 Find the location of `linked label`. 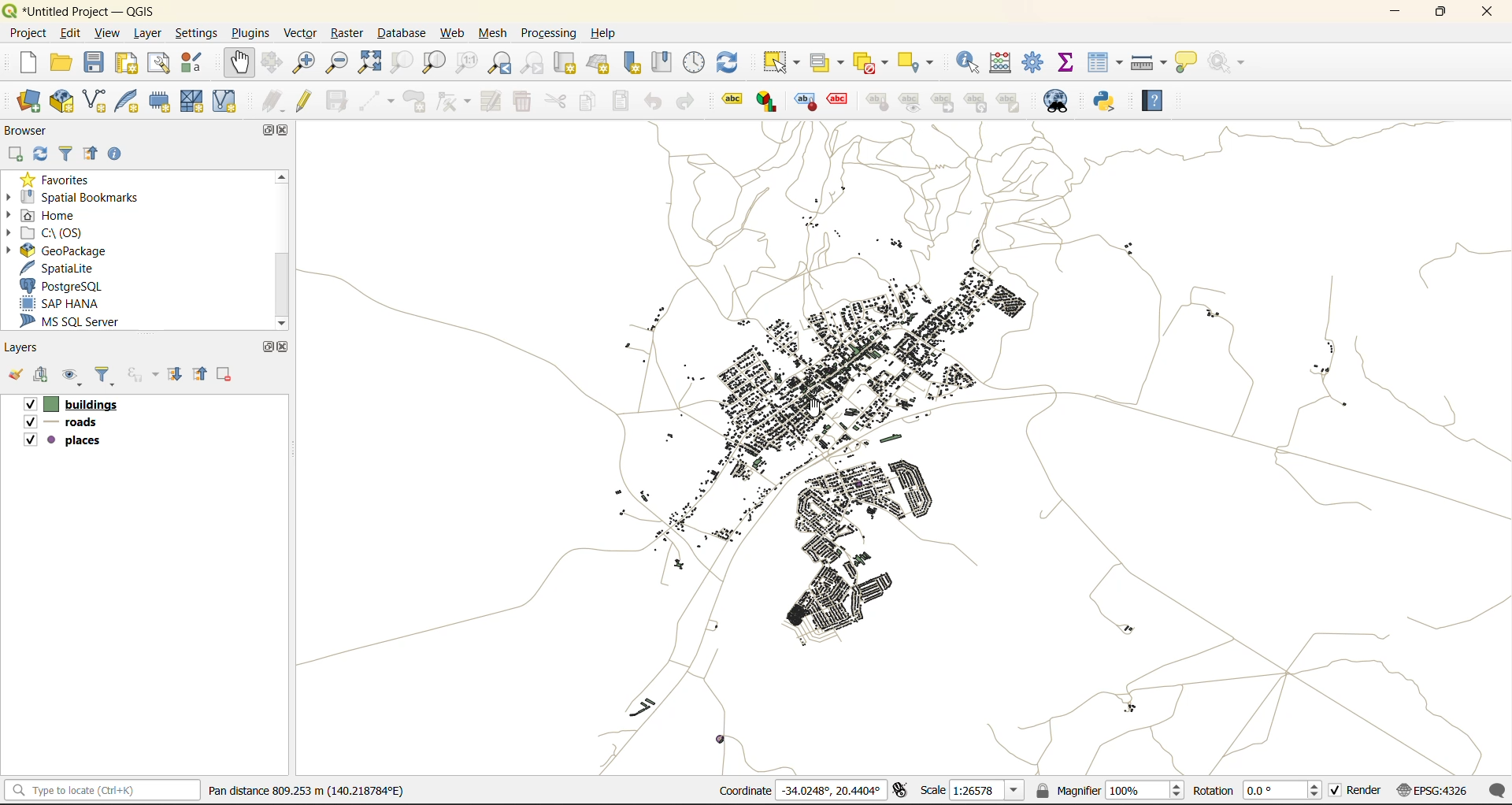

linked label is located at coordinates (947, 103).